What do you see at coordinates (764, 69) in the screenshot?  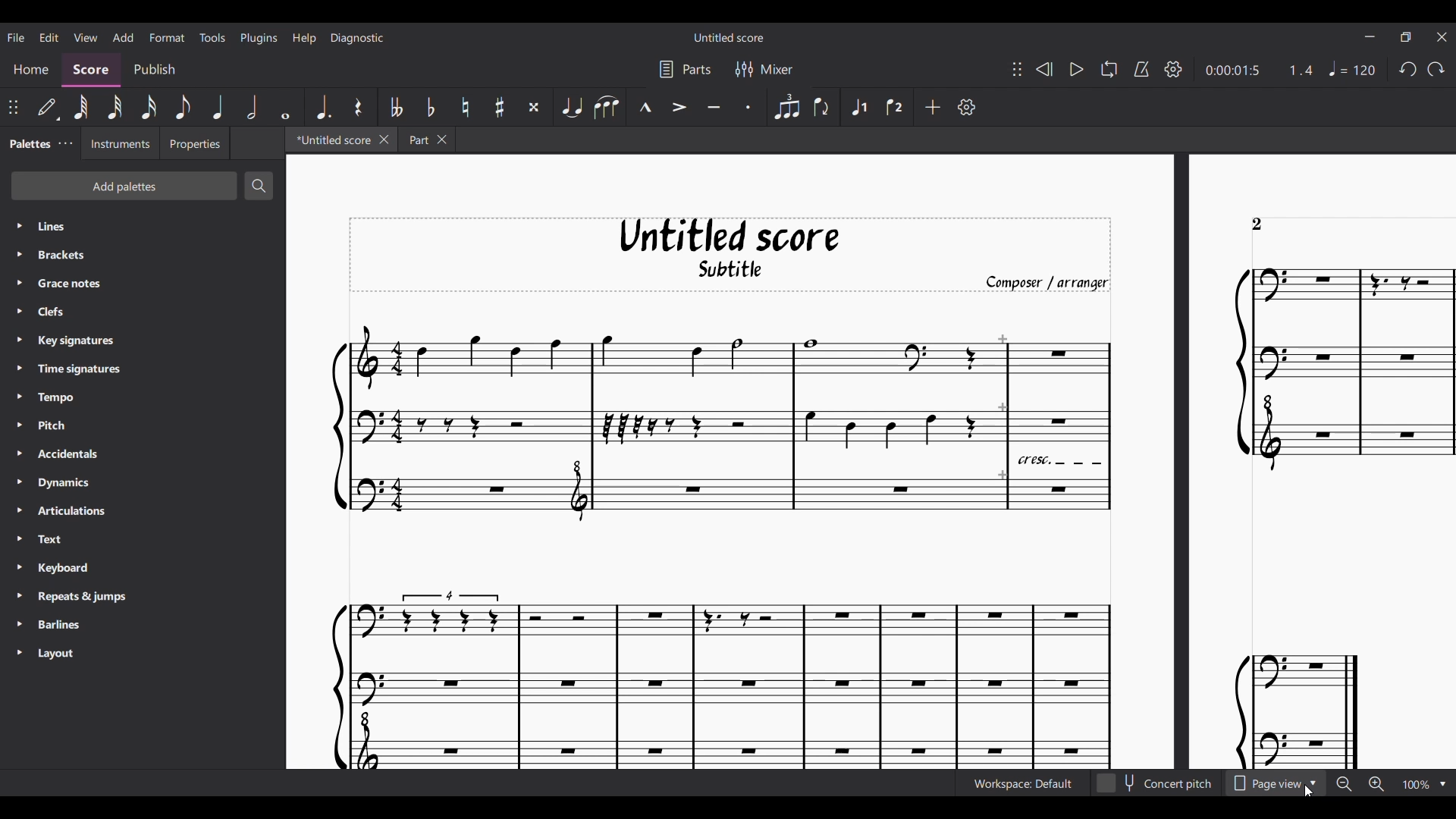 I see `Mixer settings` at bounding box center [764, 69].